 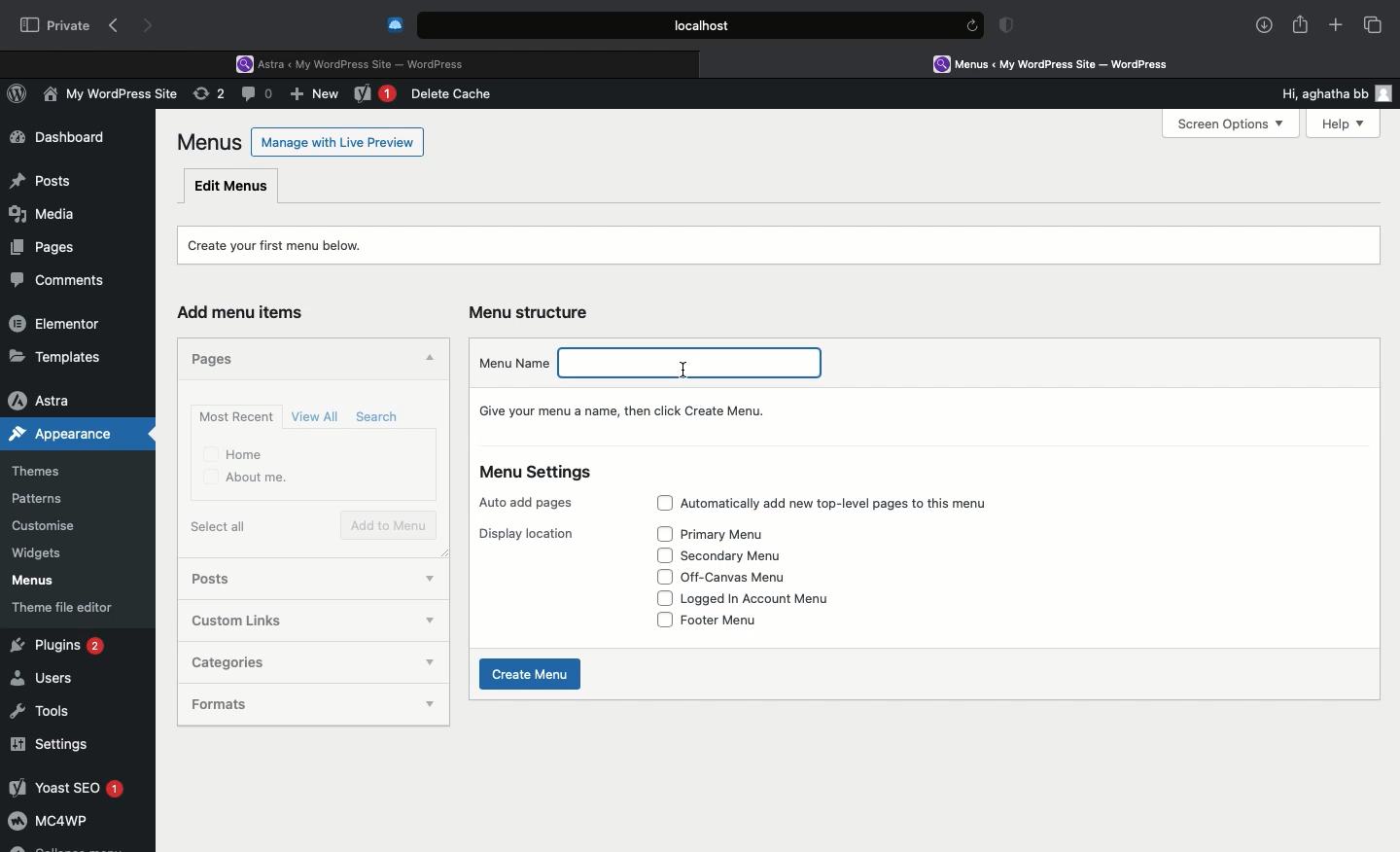 What do you see at coordinates (65, 787) in the screenshot?
I see `Yoast SEO 1` at bounding box center [65, 787].